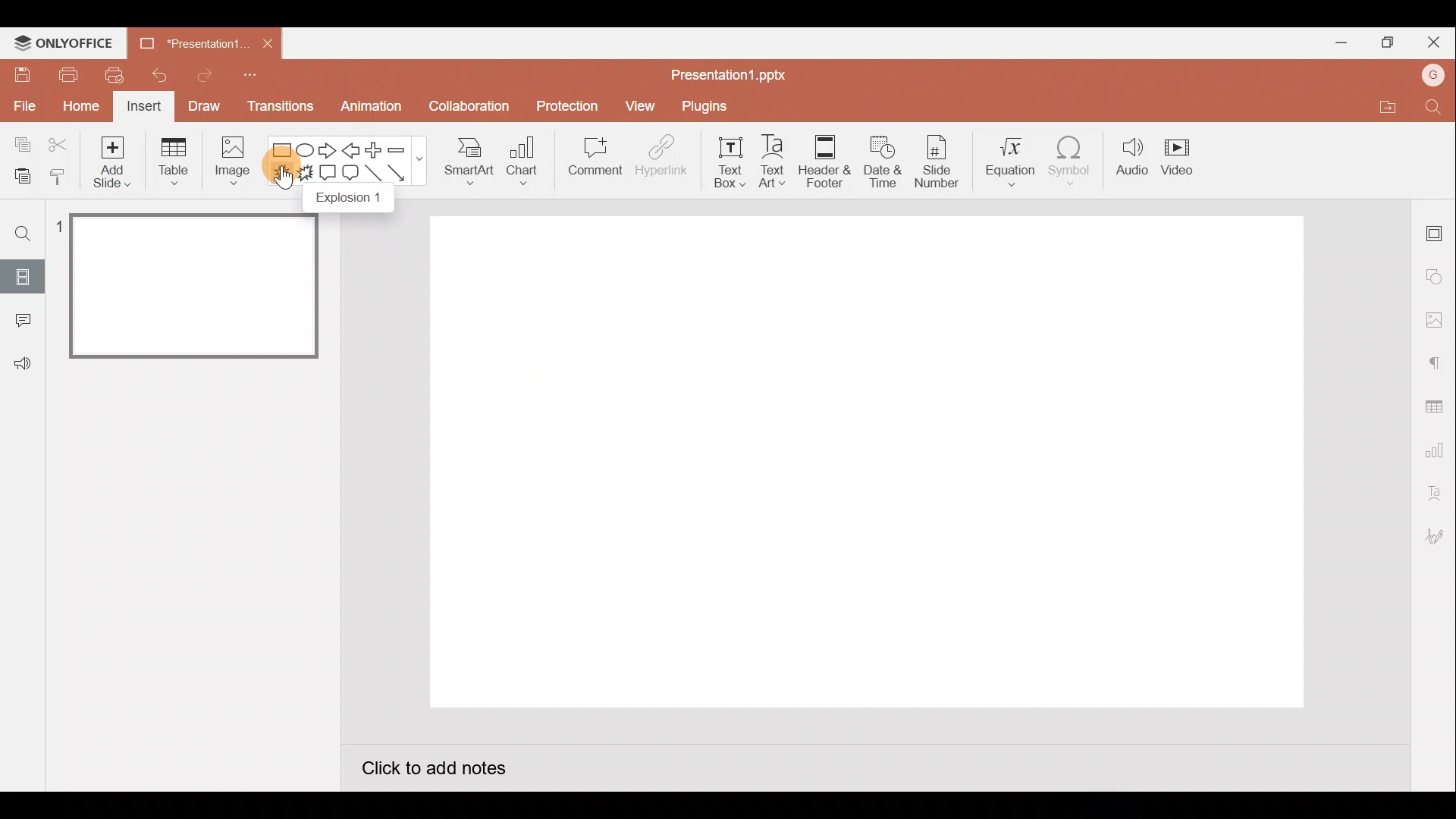 Image resolution: width=1456 pixels, height=819 pixels. Describe the element at coordinates (1339, 42) in the screenshot. I see `Minimize` at that location.